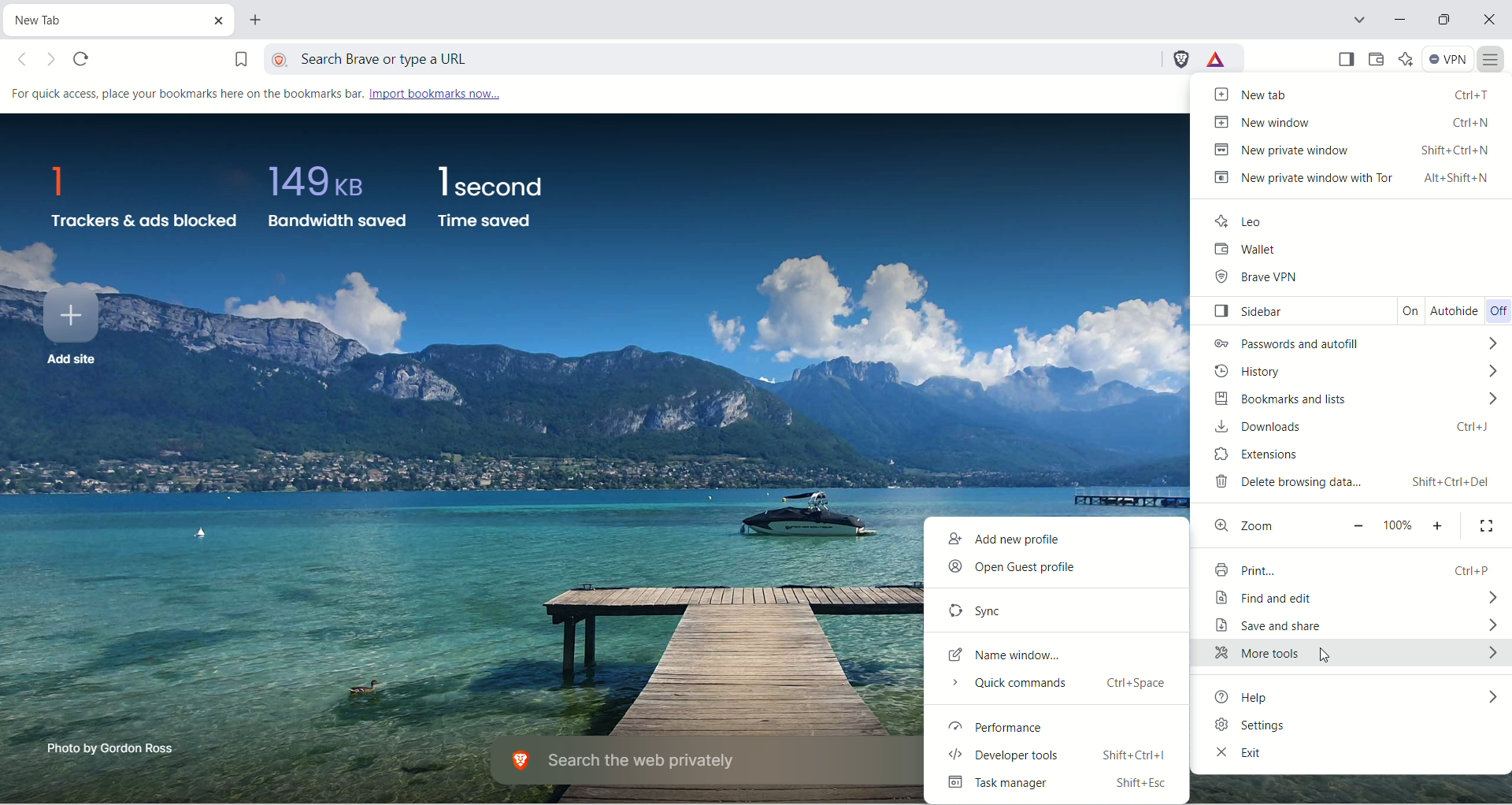 The height and width of the screenshot is (805, 1512). I want to click on save and share, so click(1358, 626).